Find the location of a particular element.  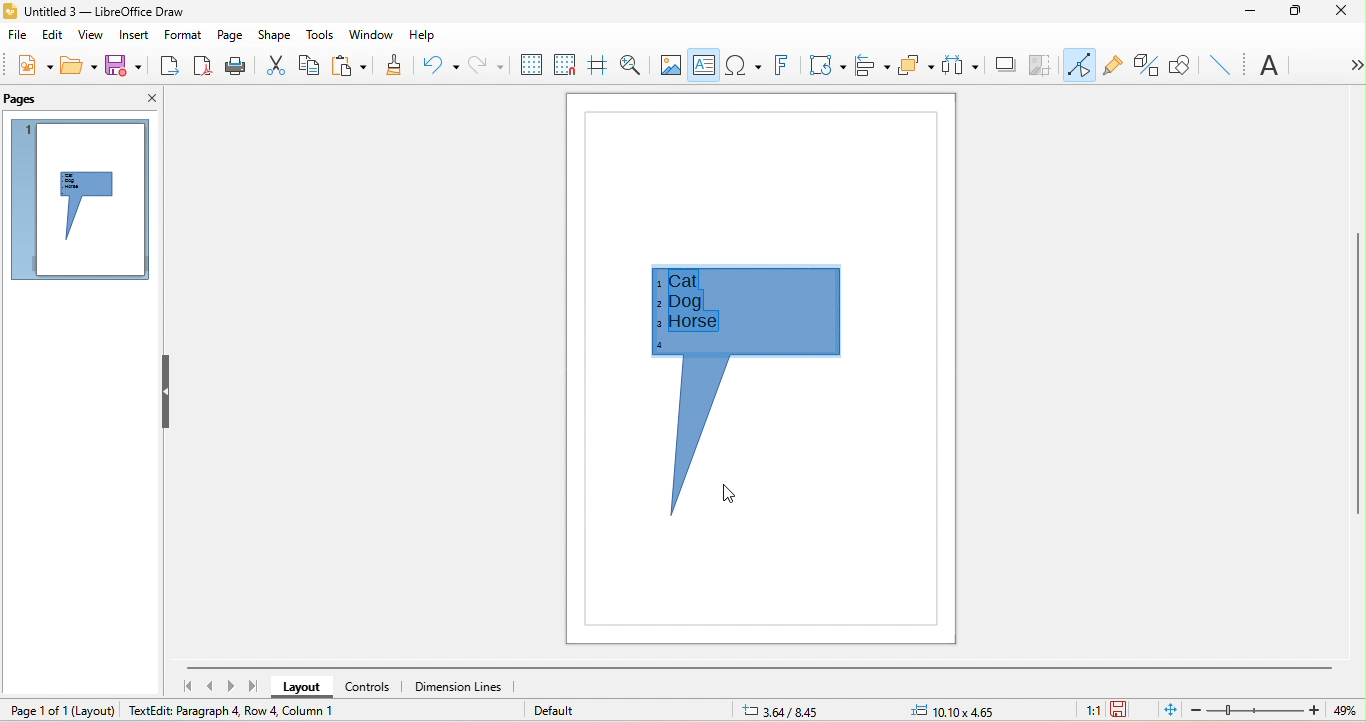

10.10x4.65 is located at coordinates (972, 710).